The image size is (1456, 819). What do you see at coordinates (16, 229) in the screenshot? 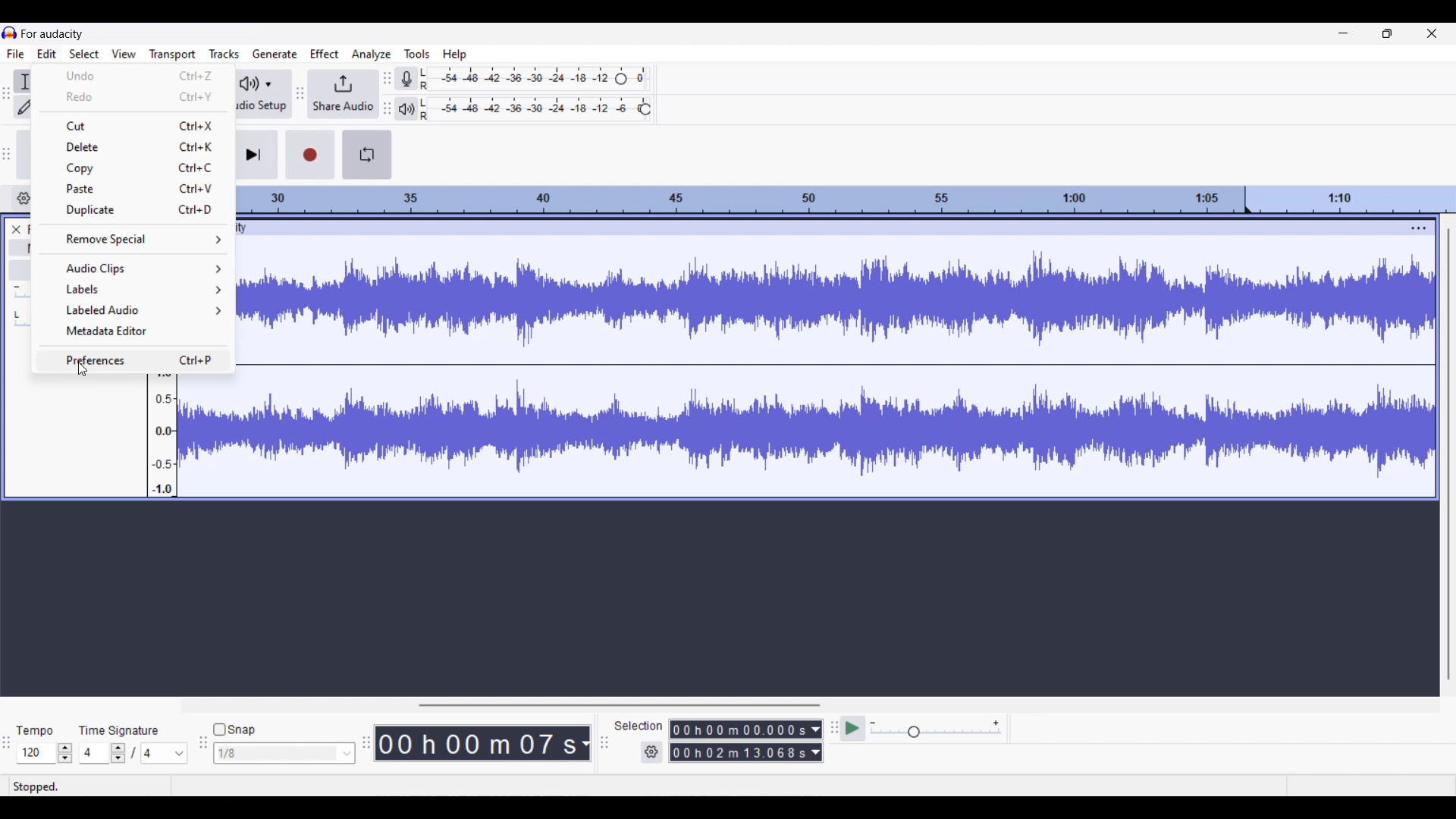
I see `Close track` at bounding box center [16, 229].